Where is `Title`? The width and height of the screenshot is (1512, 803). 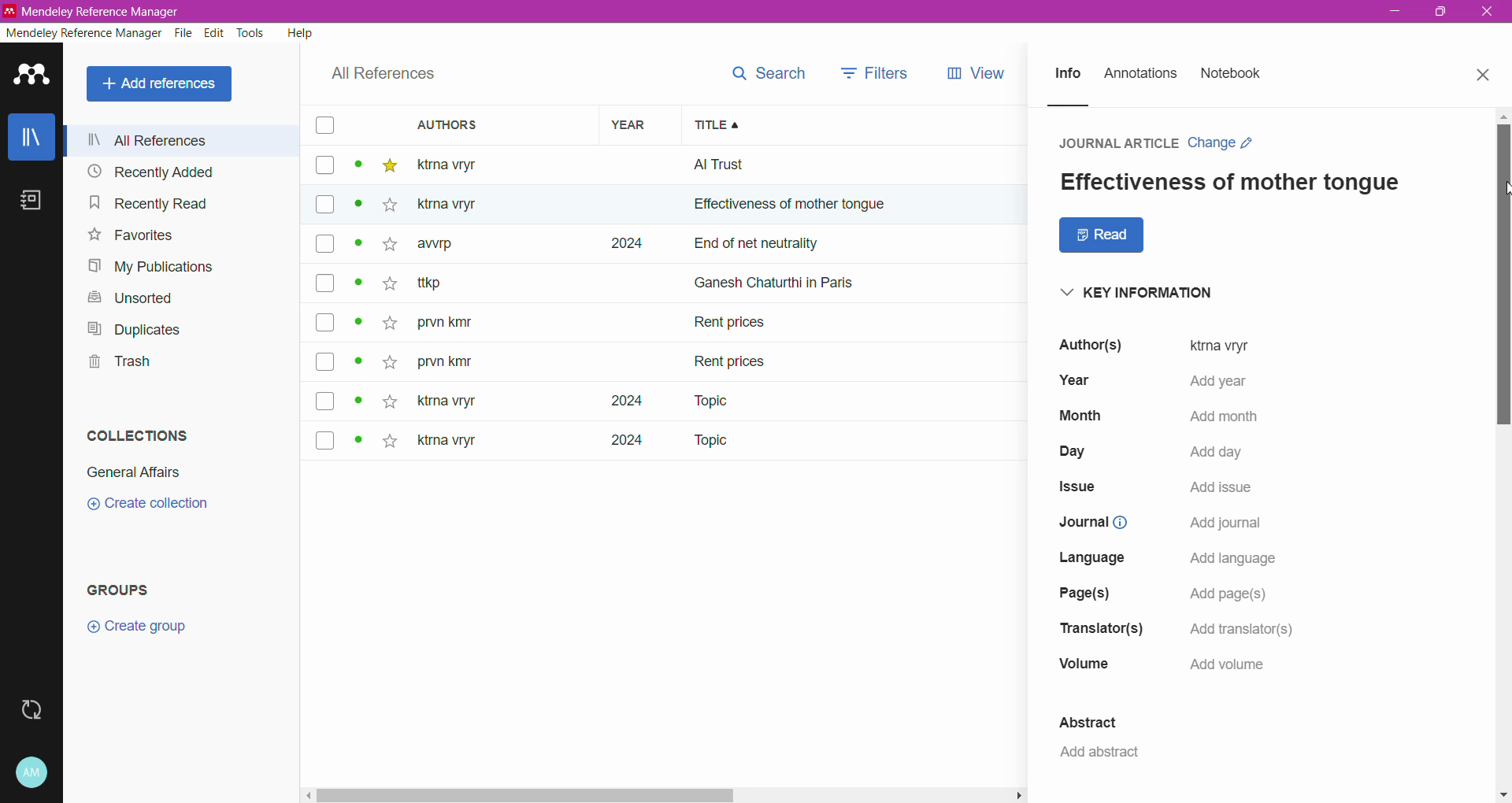
Title is located at coordinates (863, 125).